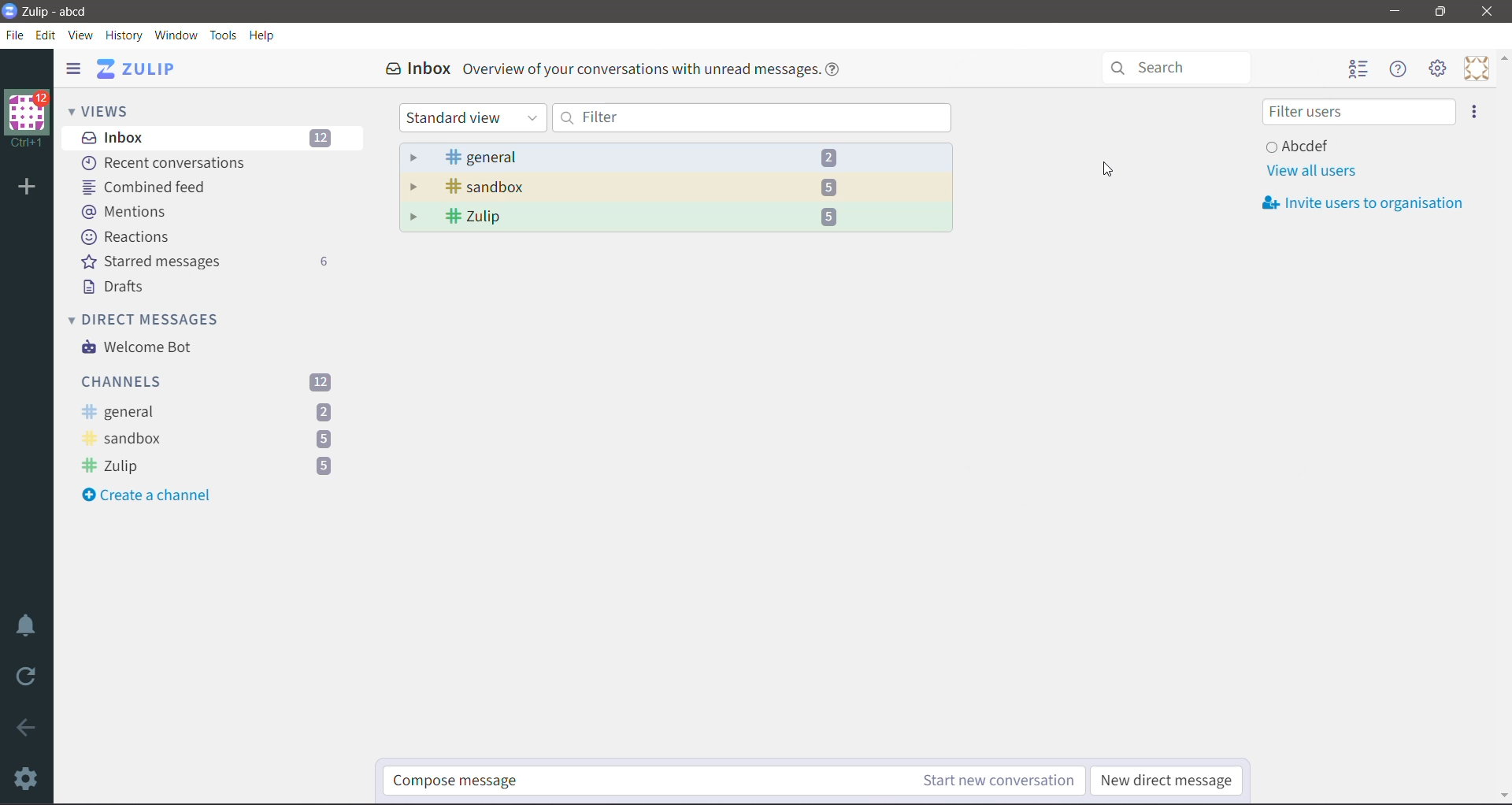 Image resolution: width=1512 pixels, height=805 pixels. What do you see at coordinates (28, 681) in the screenshot?
I see `Reload` at bounding box center [28, 681].